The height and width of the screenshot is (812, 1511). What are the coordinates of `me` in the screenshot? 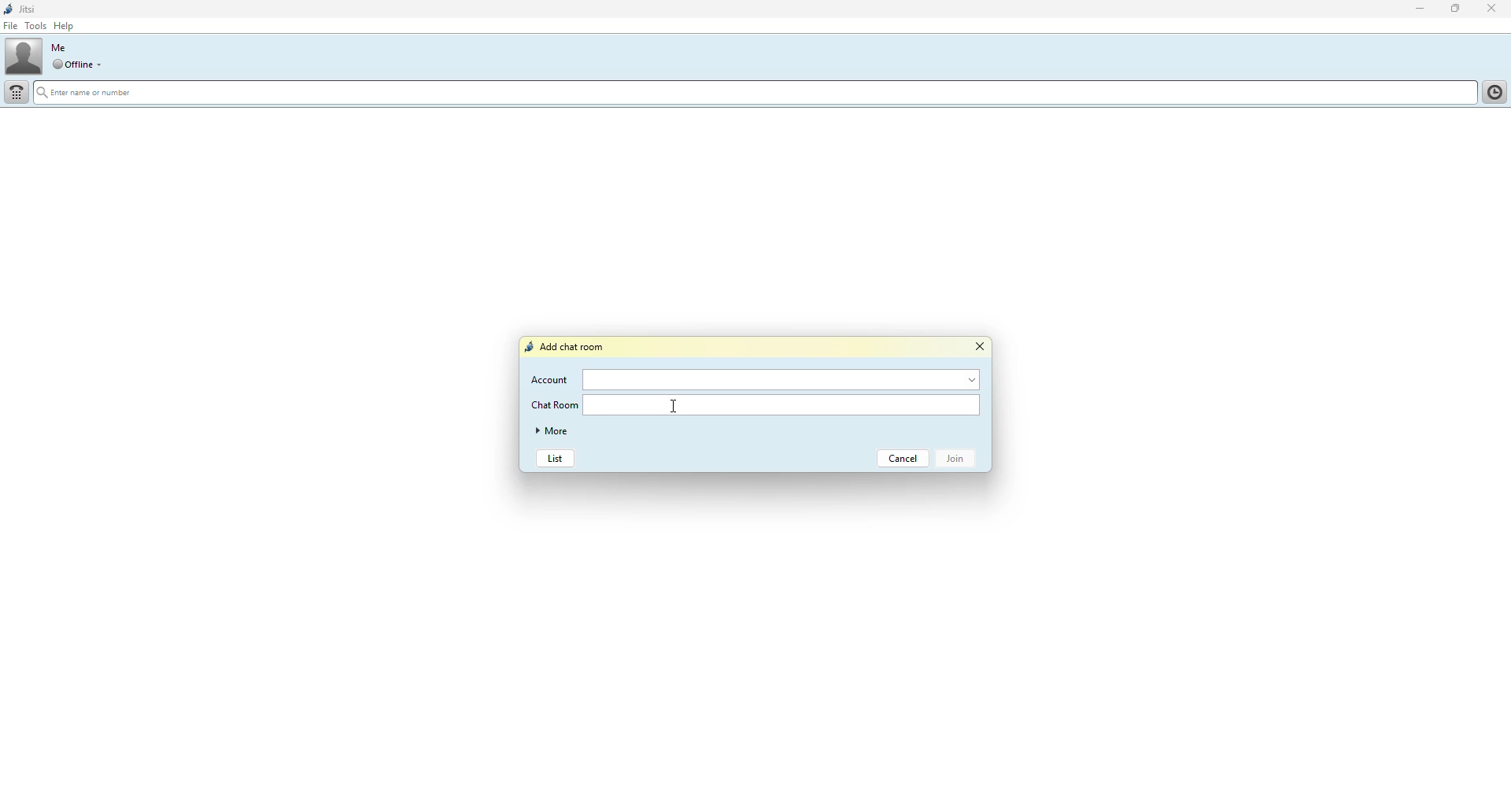 It's located at (58, 47).